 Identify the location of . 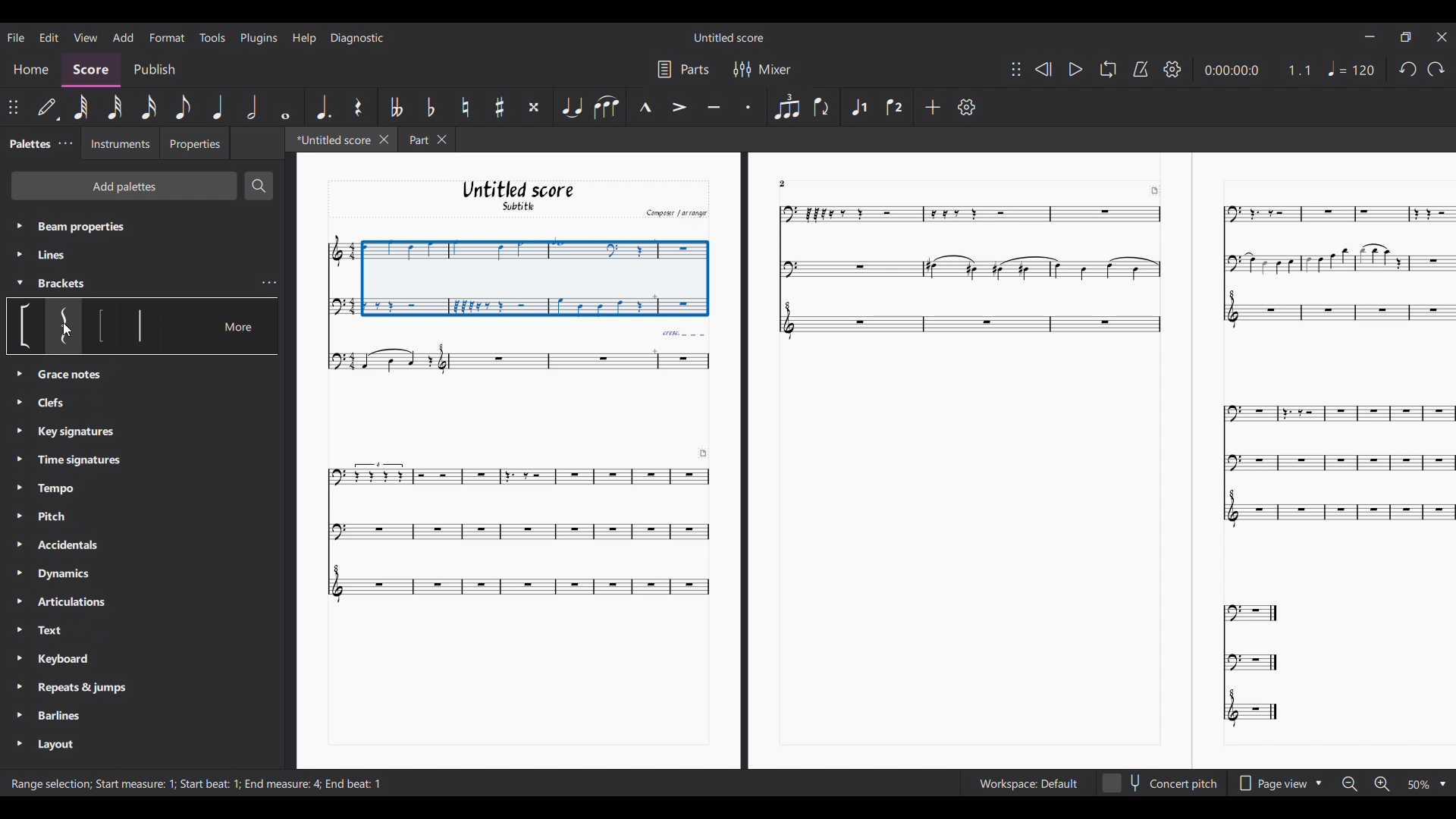
(521, 585).